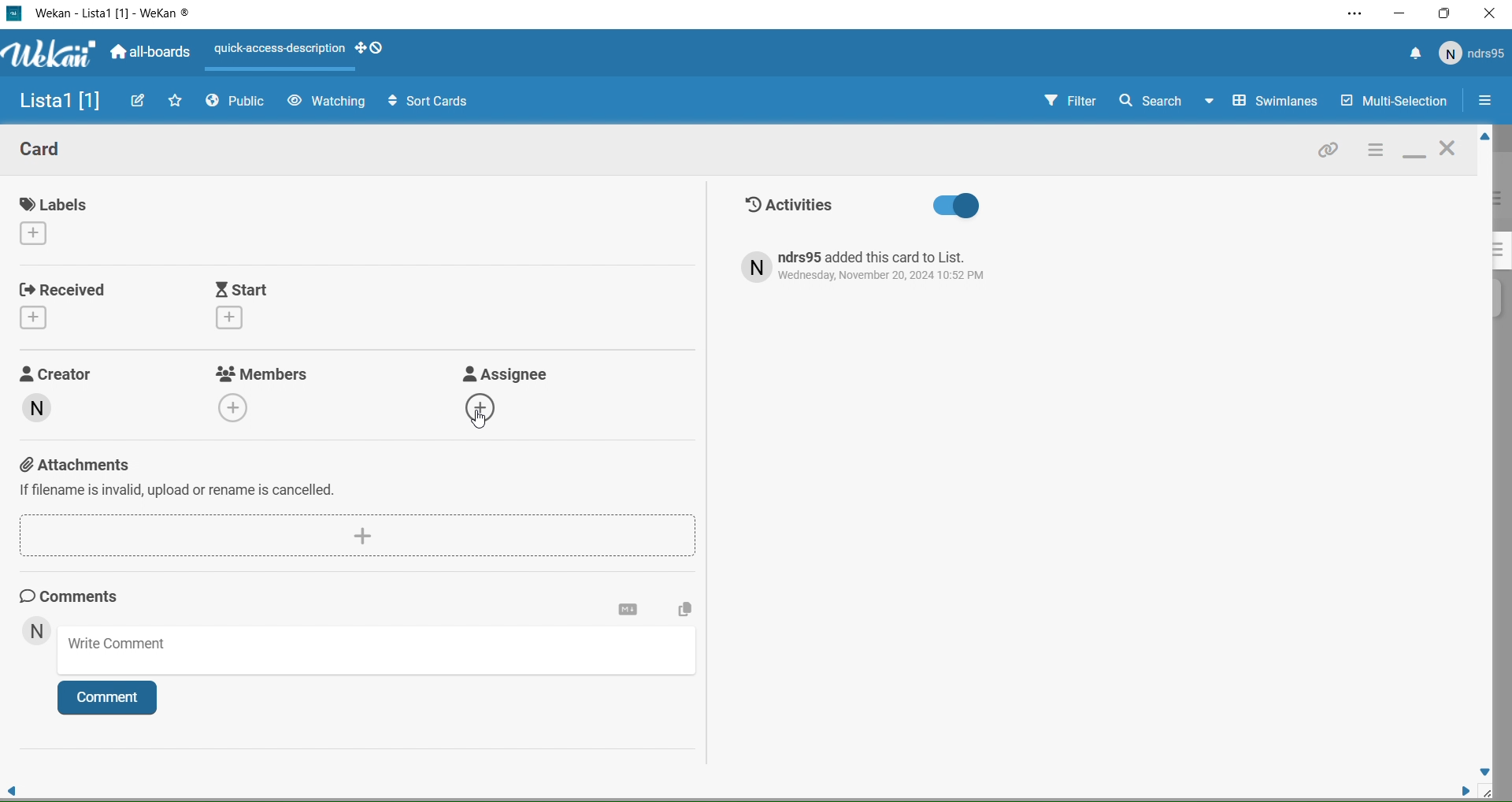 The image size is (1512, 802). Describe the element at coordinates (1473, 54) in the screenshot. I see `User` at that location.